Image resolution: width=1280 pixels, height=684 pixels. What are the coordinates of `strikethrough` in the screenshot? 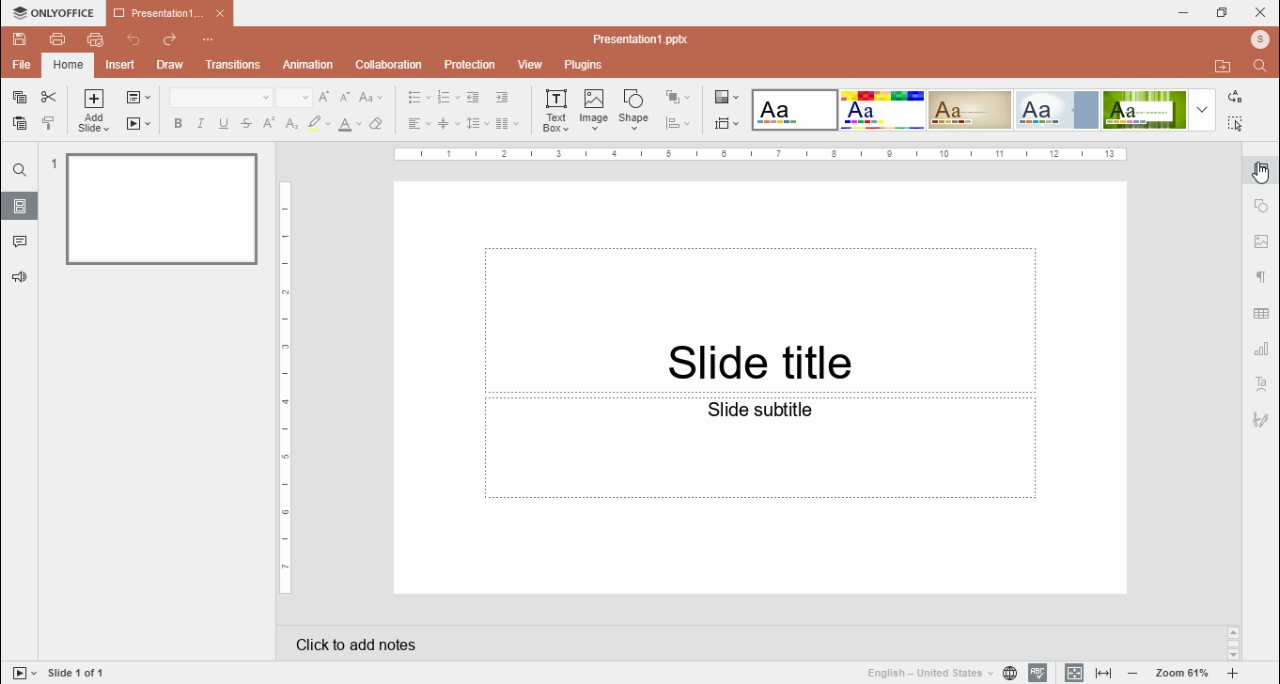 It's located at (246, 123).